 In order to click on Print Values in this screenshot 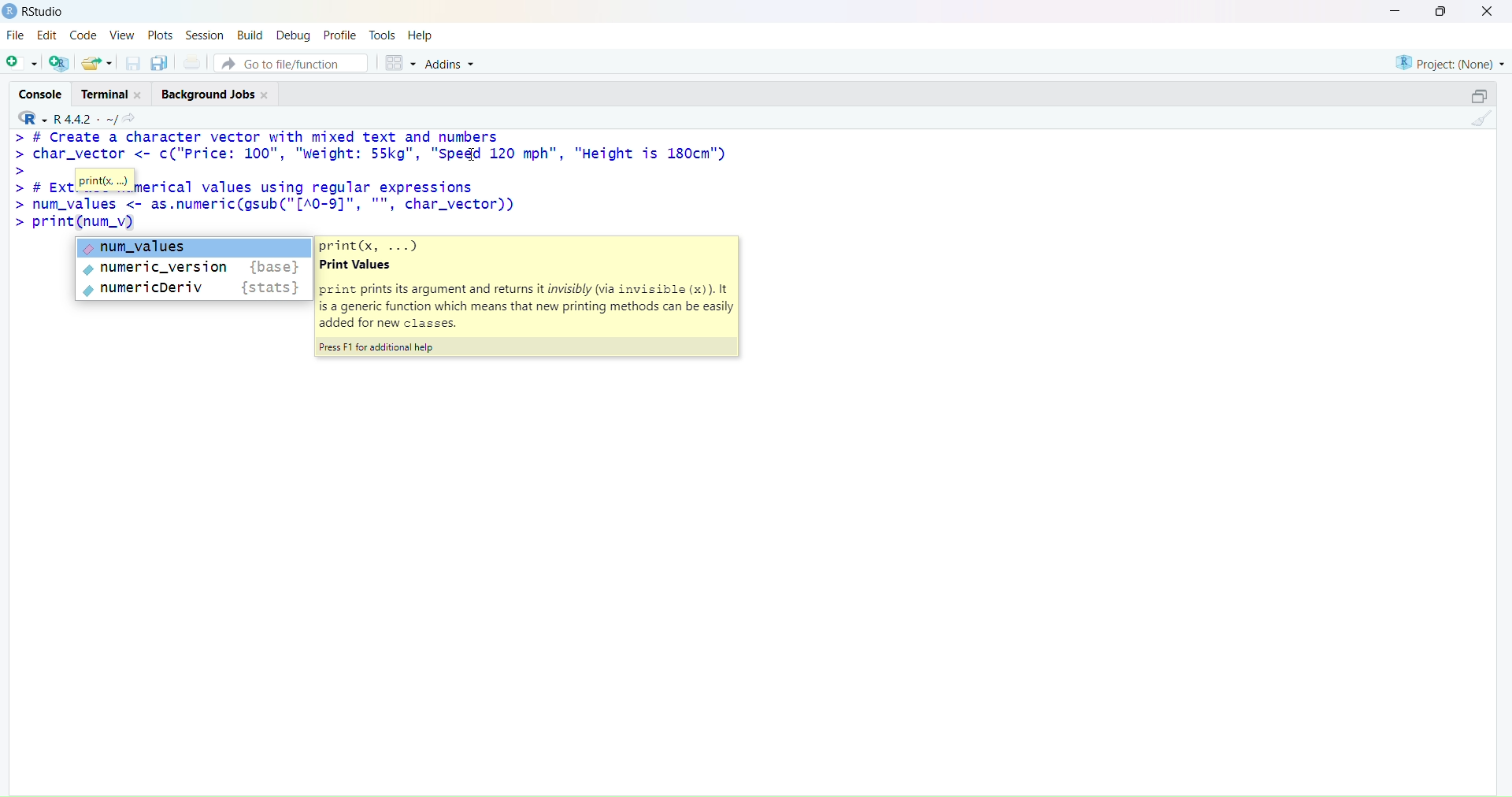, I will do `click(356, 265)`.